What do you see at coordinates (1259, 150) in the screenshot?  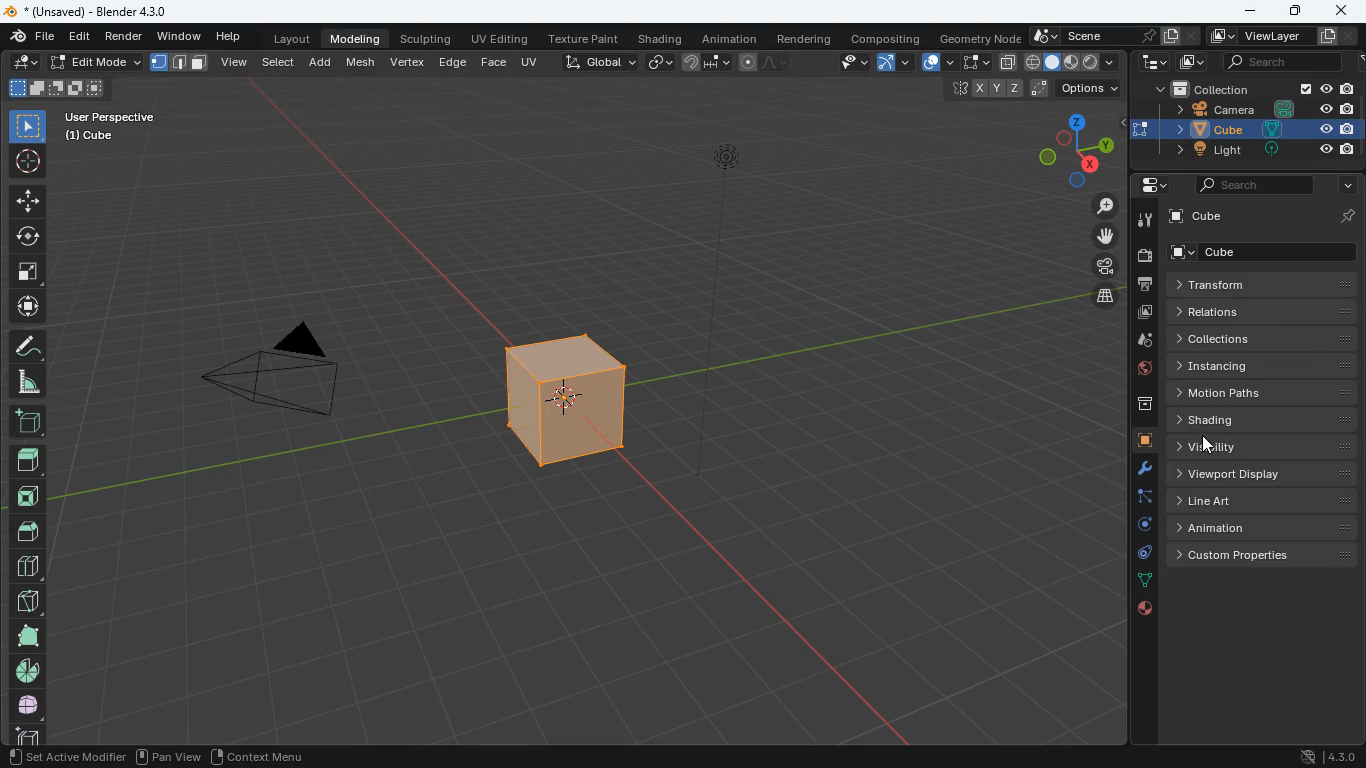 I see `light` at bounding box center [1259, 150].